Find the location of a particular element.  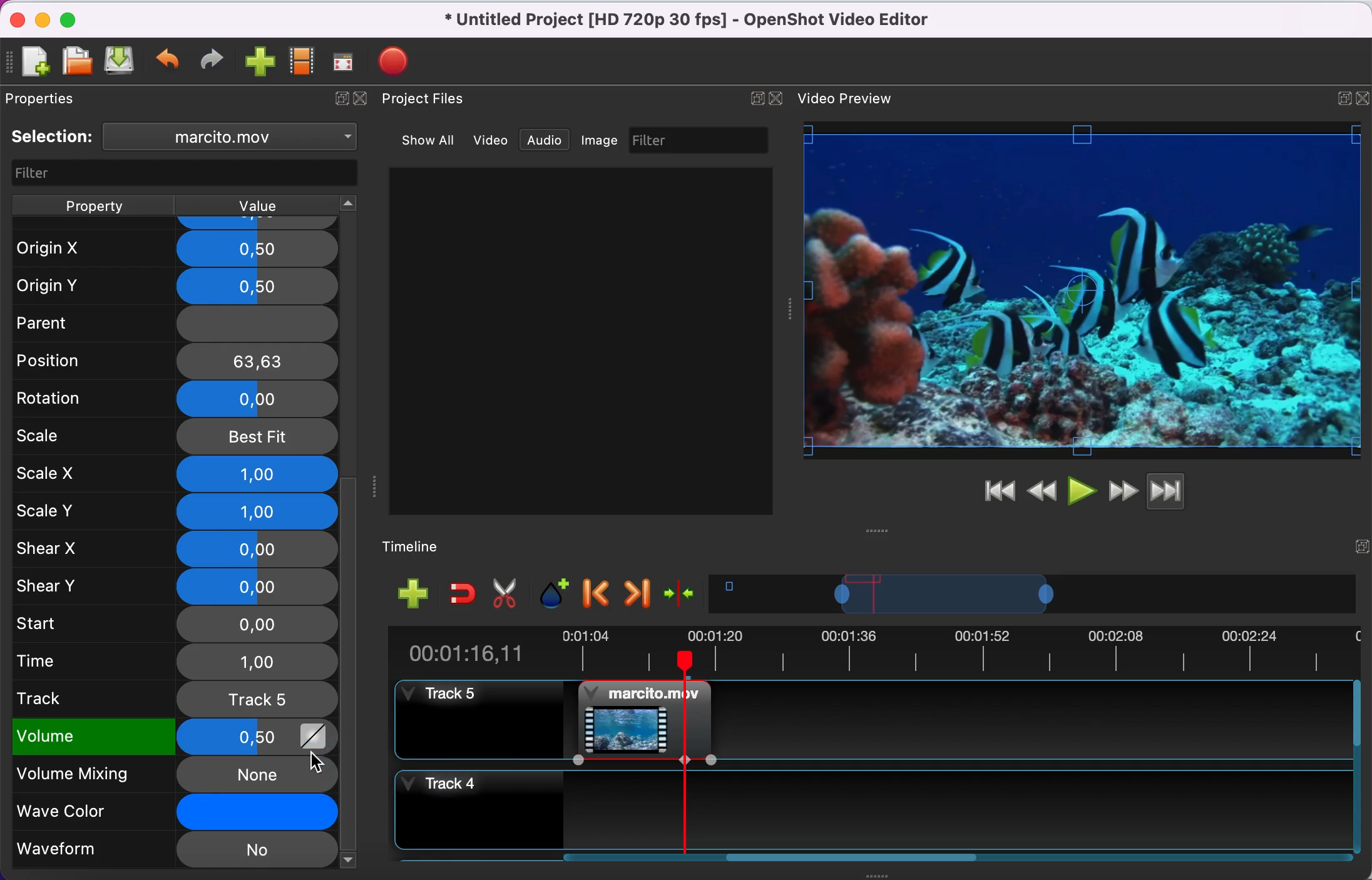

jump to start is located at coordinates (999, 492).